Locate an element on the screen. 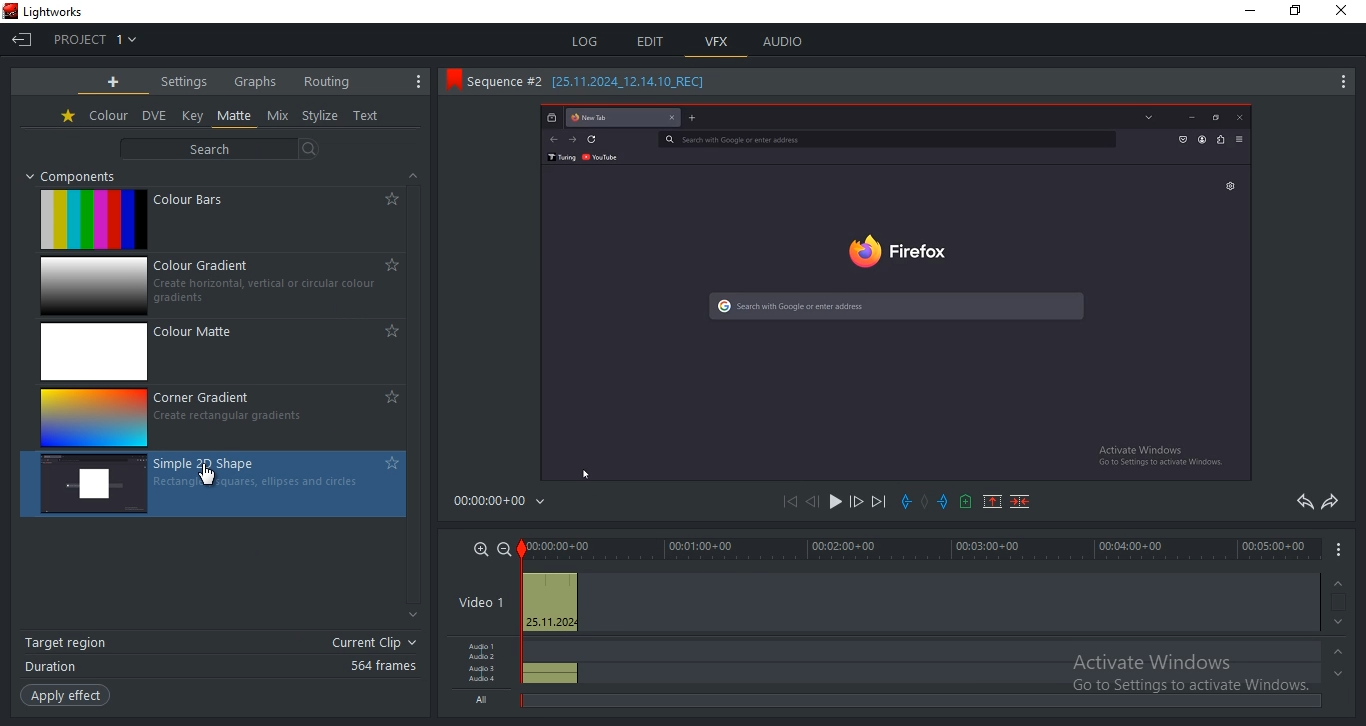  star is located at coordinates (69, 117).